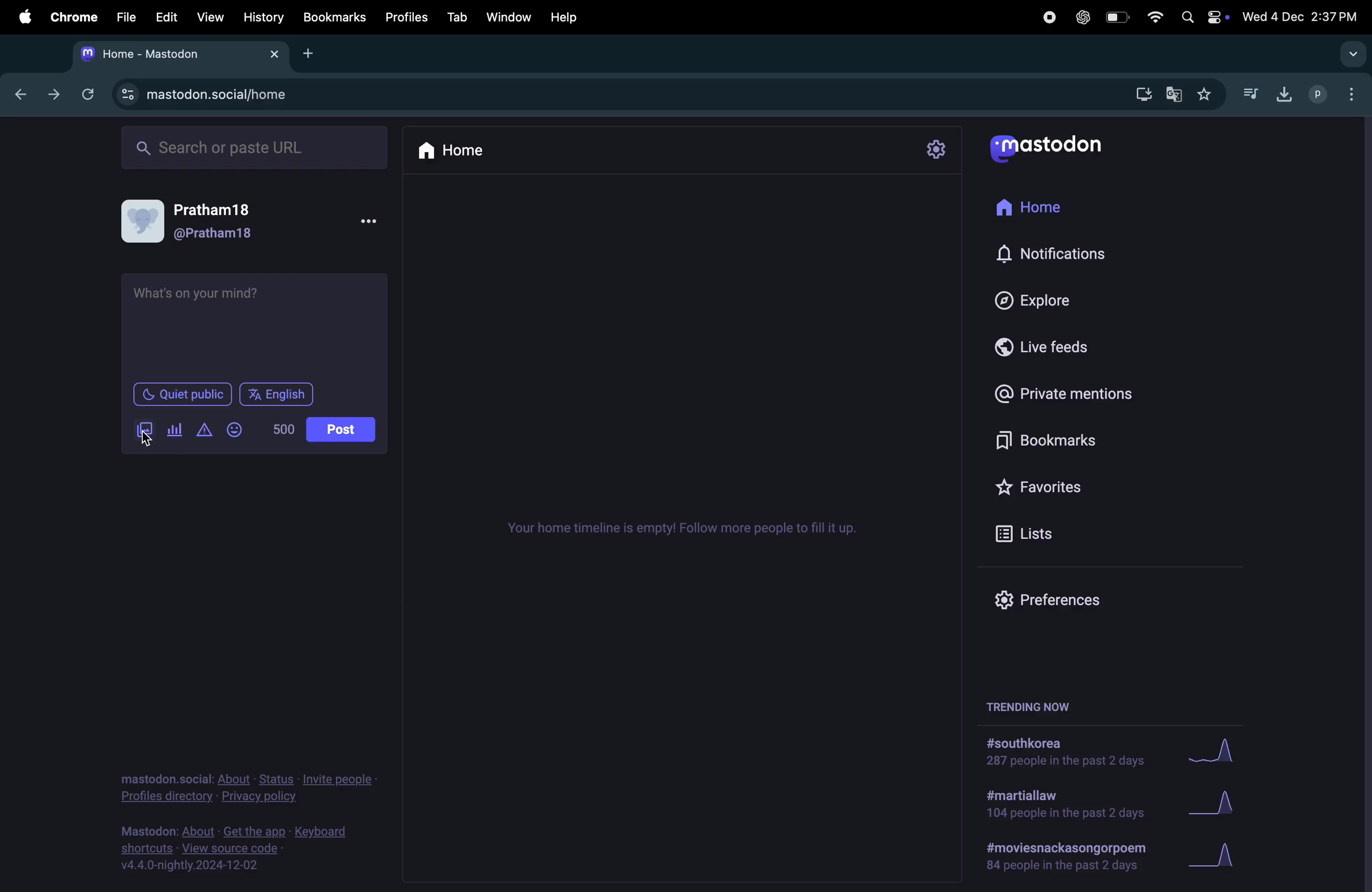  Describe the element at coordinates (20, 17) in the screenshot. I see `apple menu` at that location.